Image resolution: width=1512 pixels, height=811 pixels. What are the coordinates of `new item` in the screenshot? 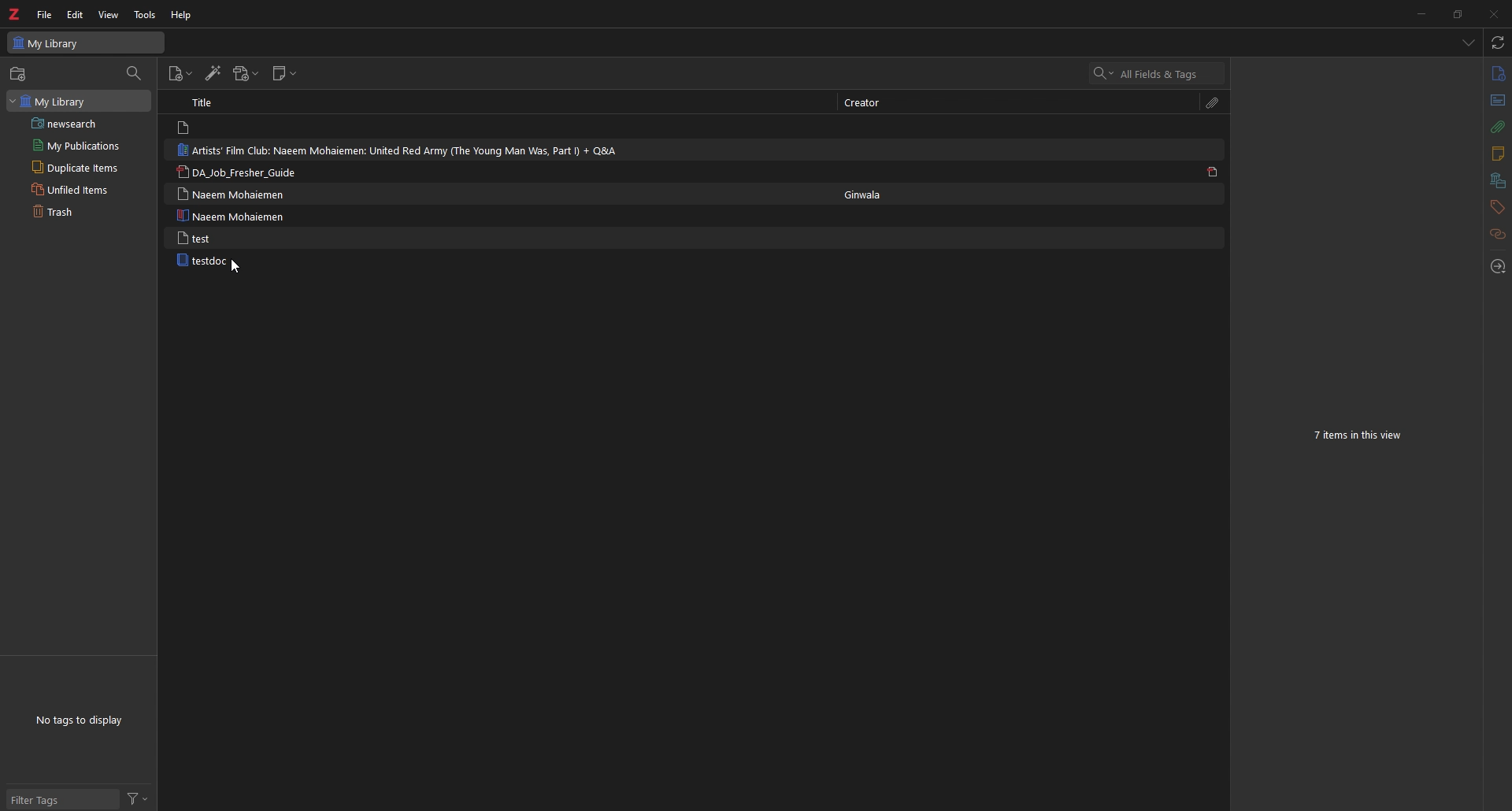 It's located at (180, 76).